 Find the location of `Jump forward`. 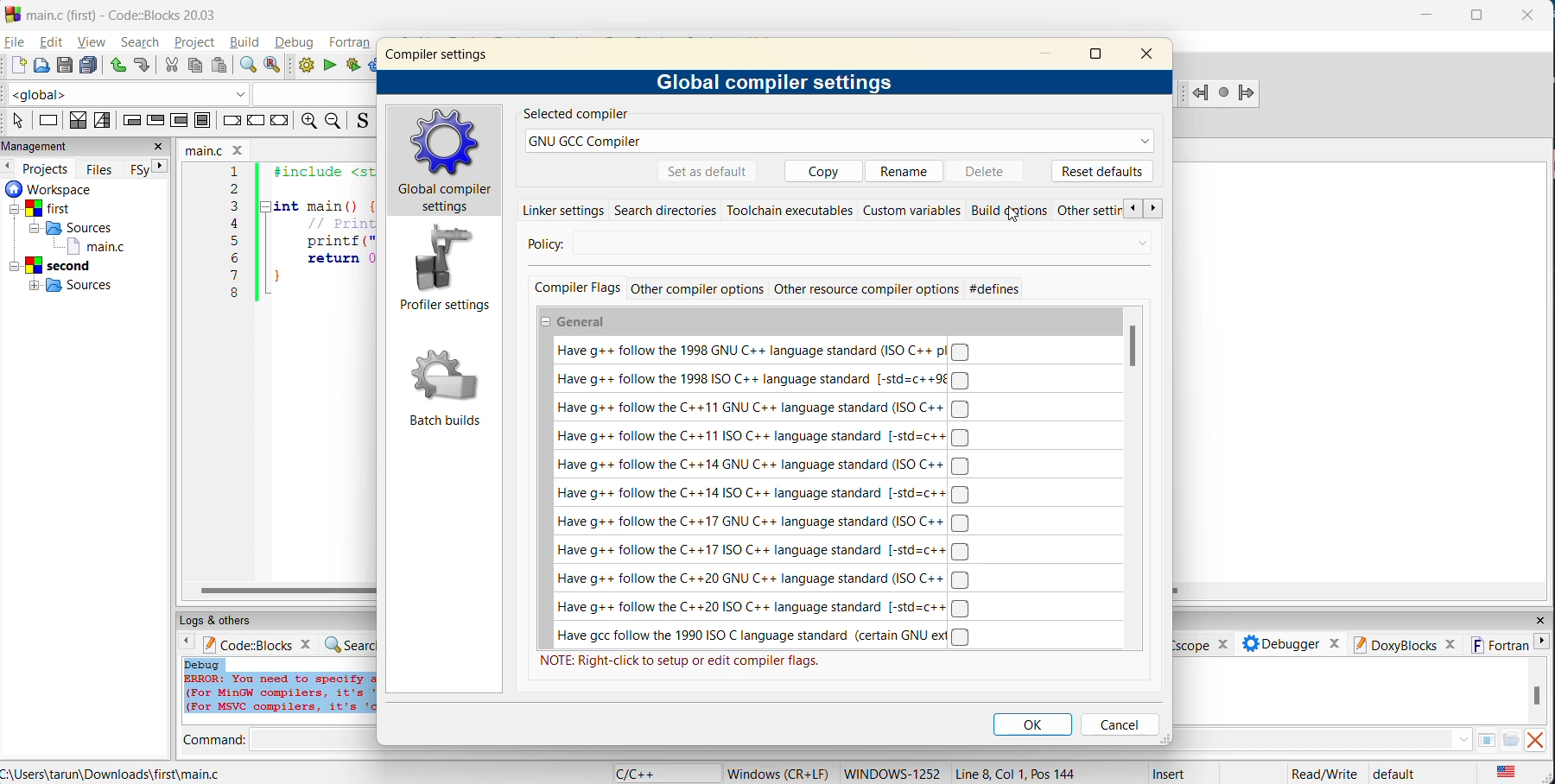

Jump forward is located at coordinates (1246, 93).